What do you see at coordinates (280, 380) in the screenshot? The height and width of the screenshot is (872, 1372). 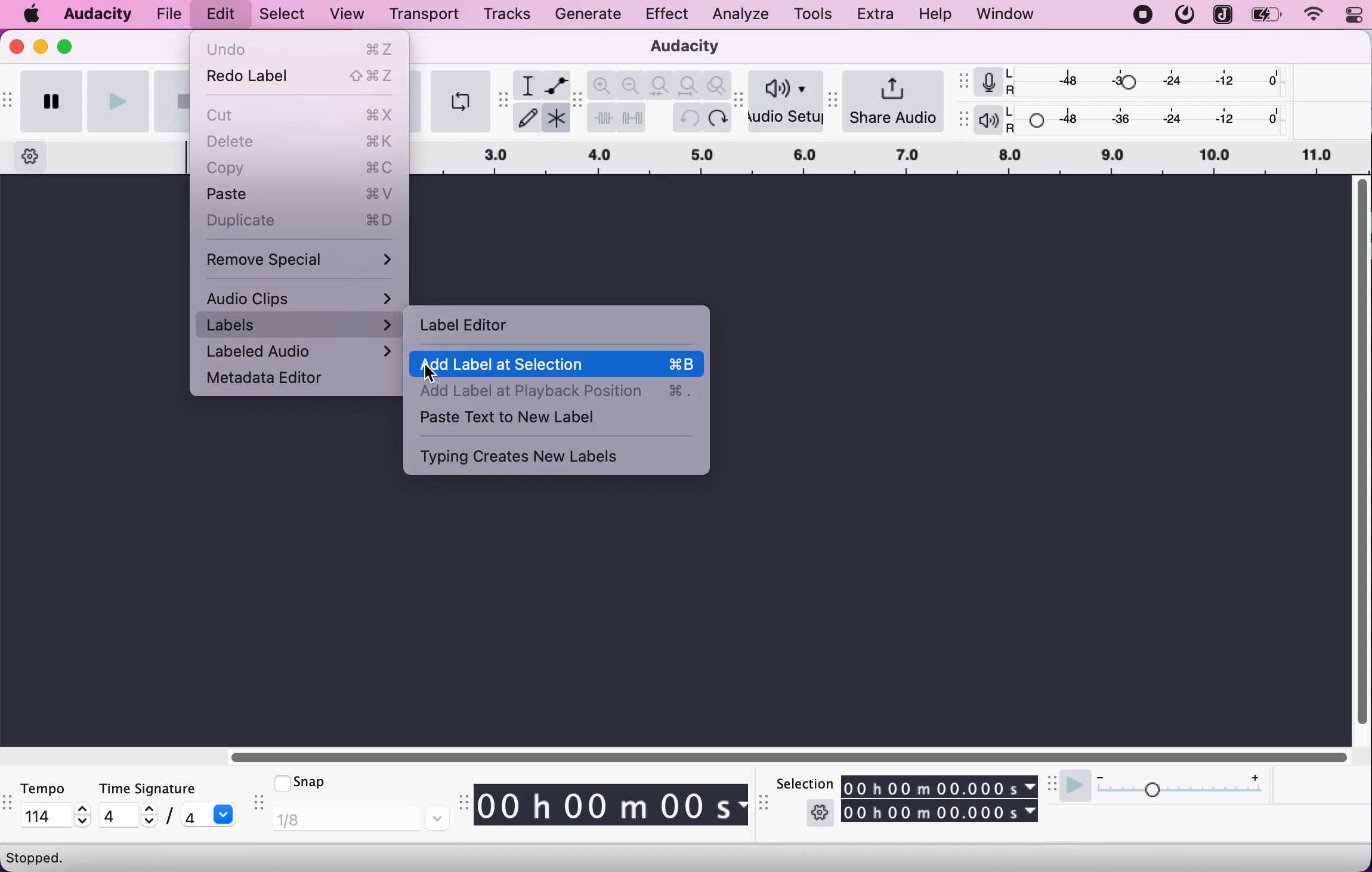 I see `metadata editor` at bounding box center [280, 380].